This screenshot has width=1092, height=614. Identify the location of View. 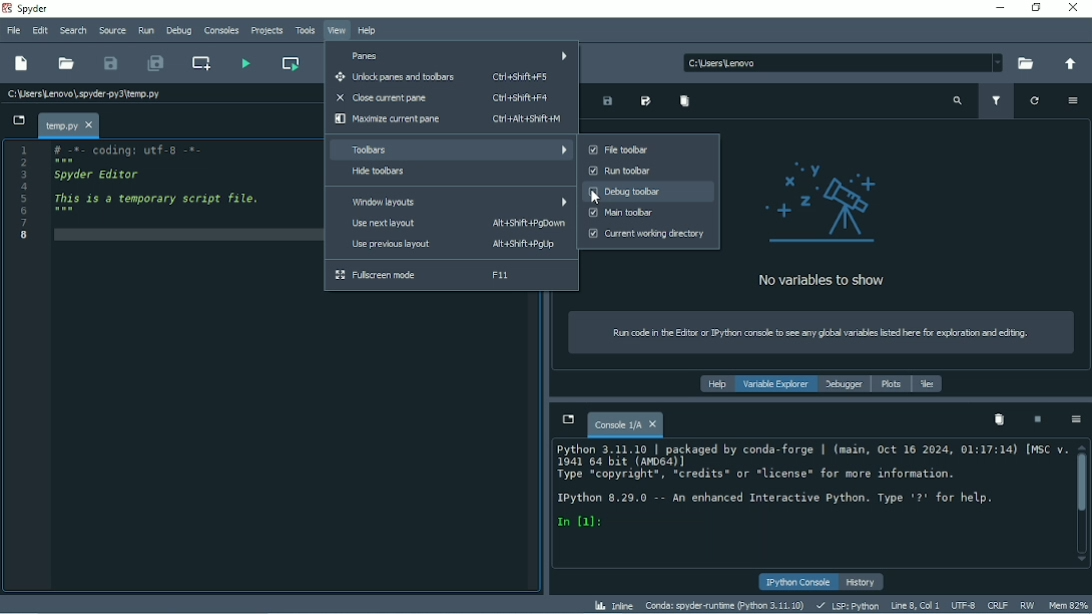
(337, 31).